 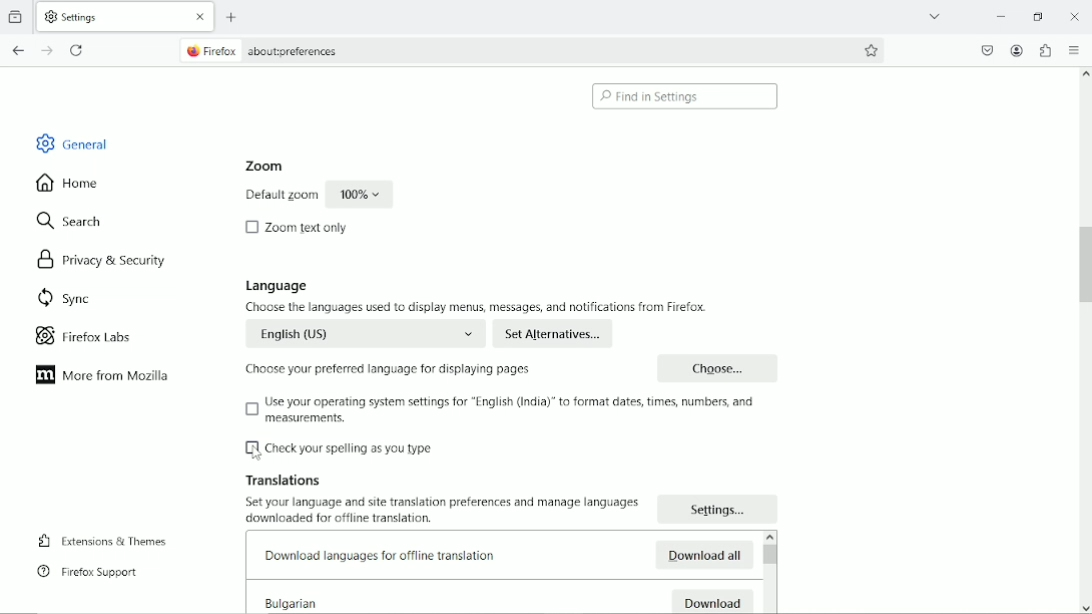 I want to click on Firefox about:preferences, so click(x=264, y=49).